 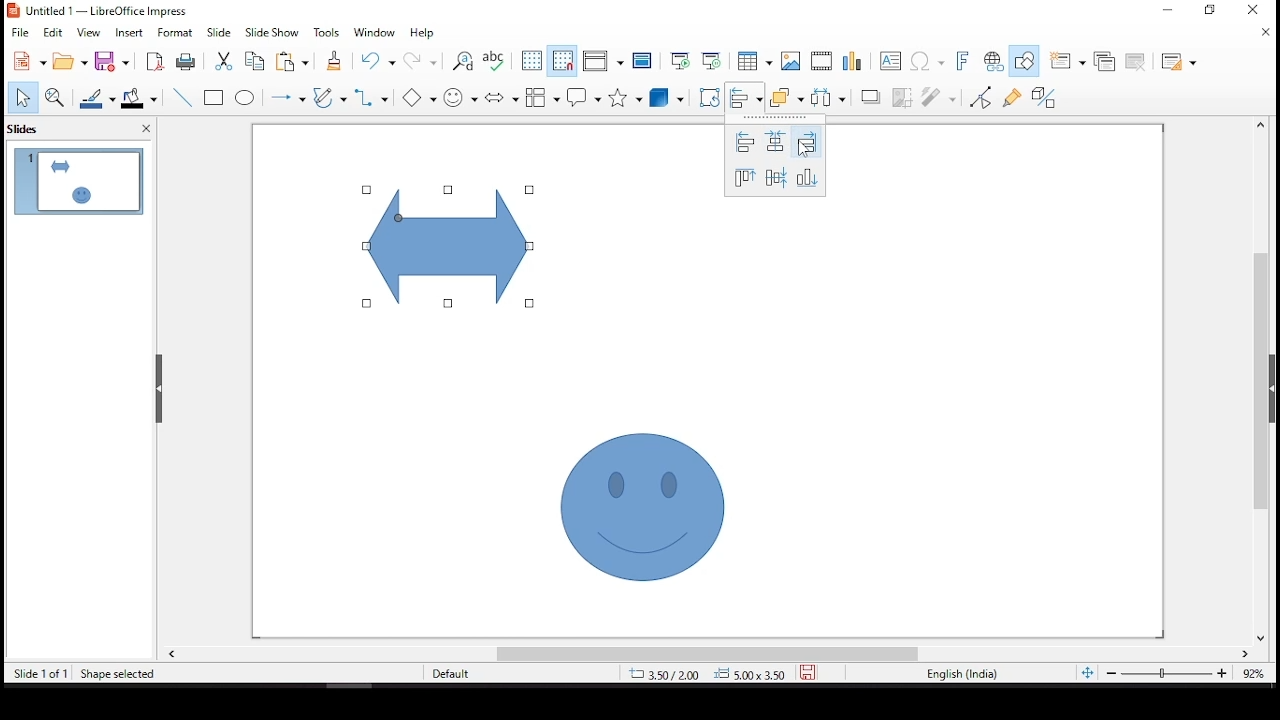 What do you see at coordinates (256, 62) in the screenshot?
I see `copy` at bounding box center [256, 62].